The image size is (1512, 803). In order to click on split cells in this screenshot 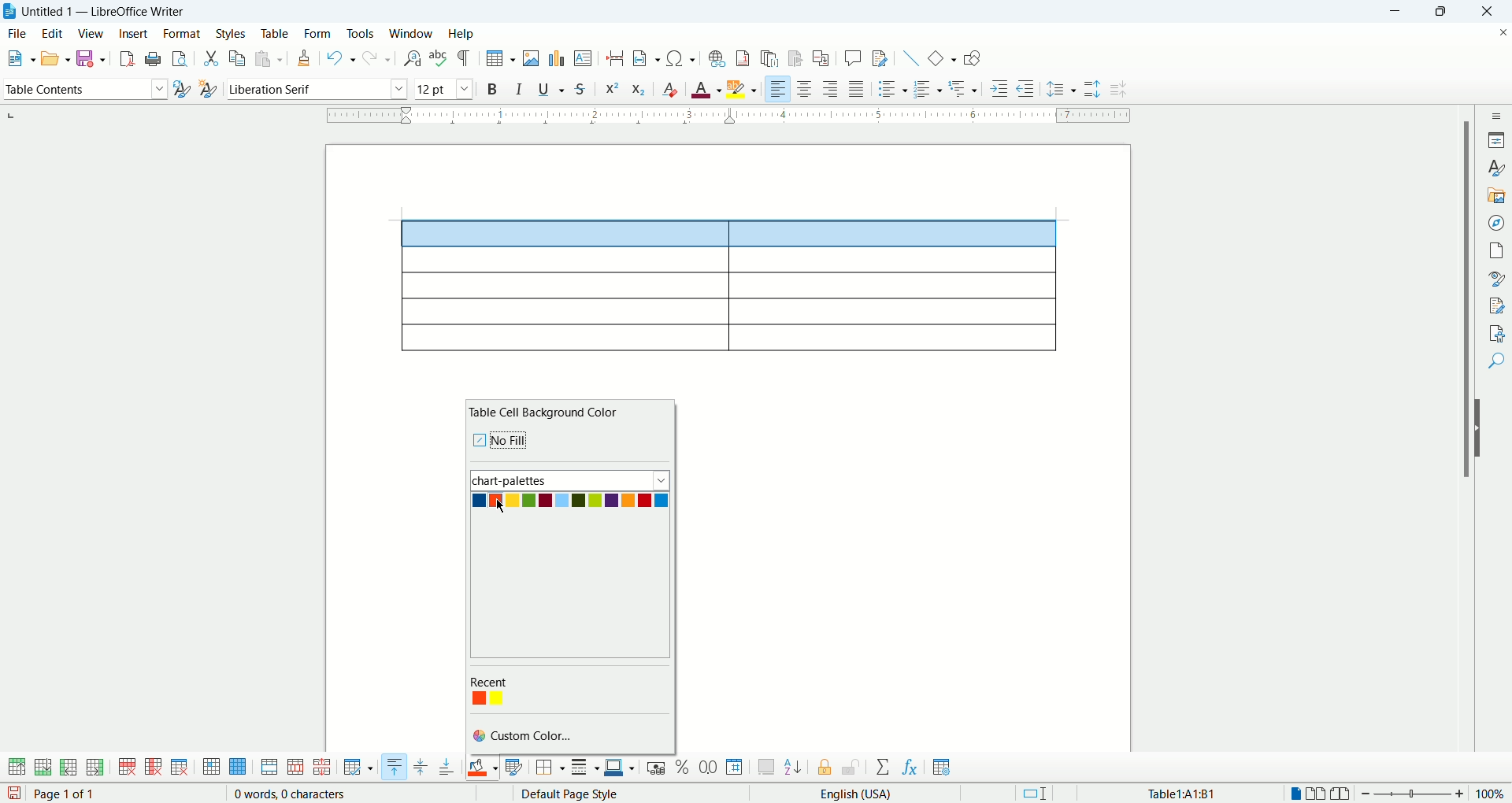, I will do `click(293, 768)`.